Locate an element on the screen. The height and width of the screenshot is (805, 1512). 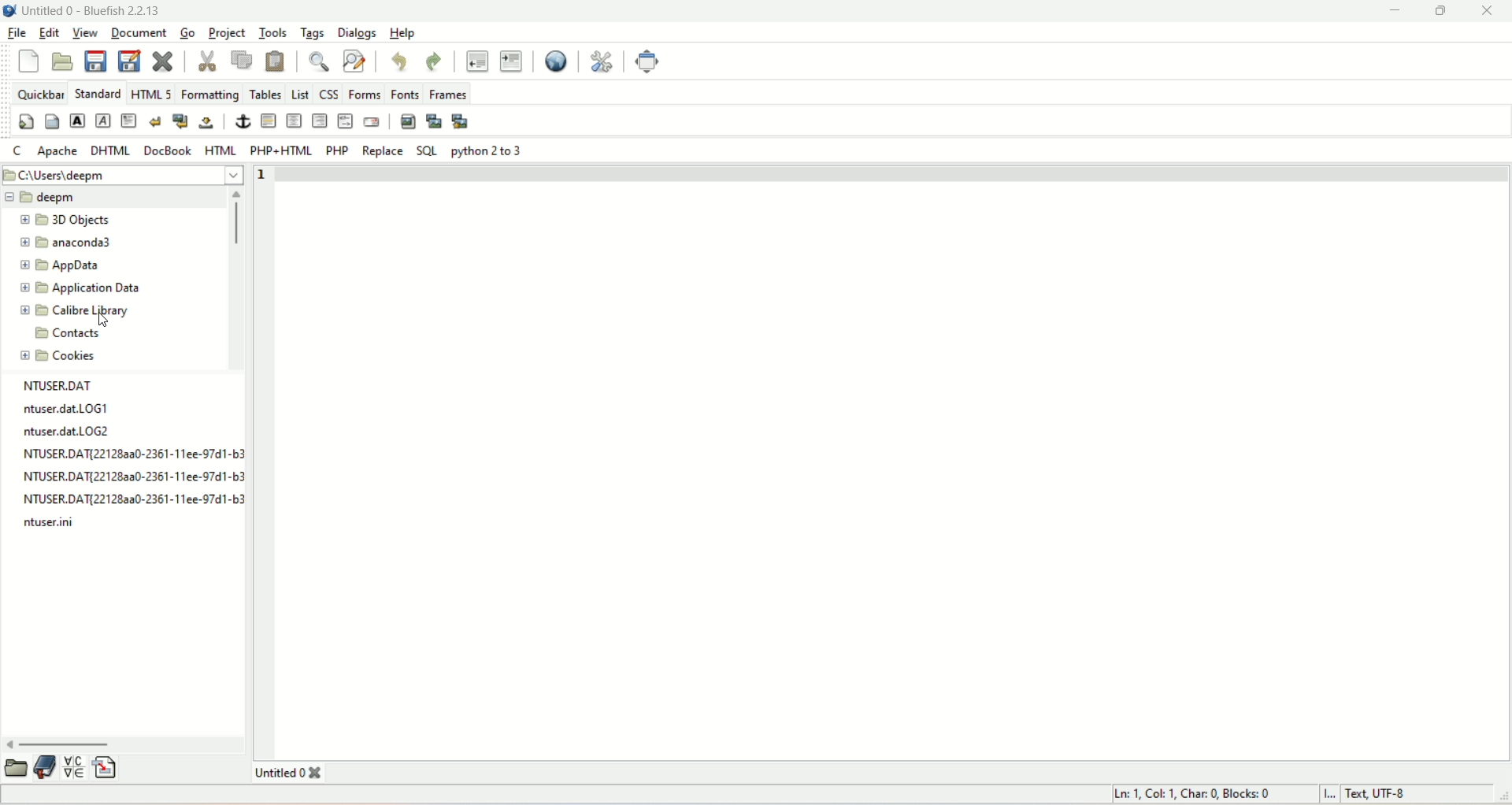
go is located at coordinates (187, 32).